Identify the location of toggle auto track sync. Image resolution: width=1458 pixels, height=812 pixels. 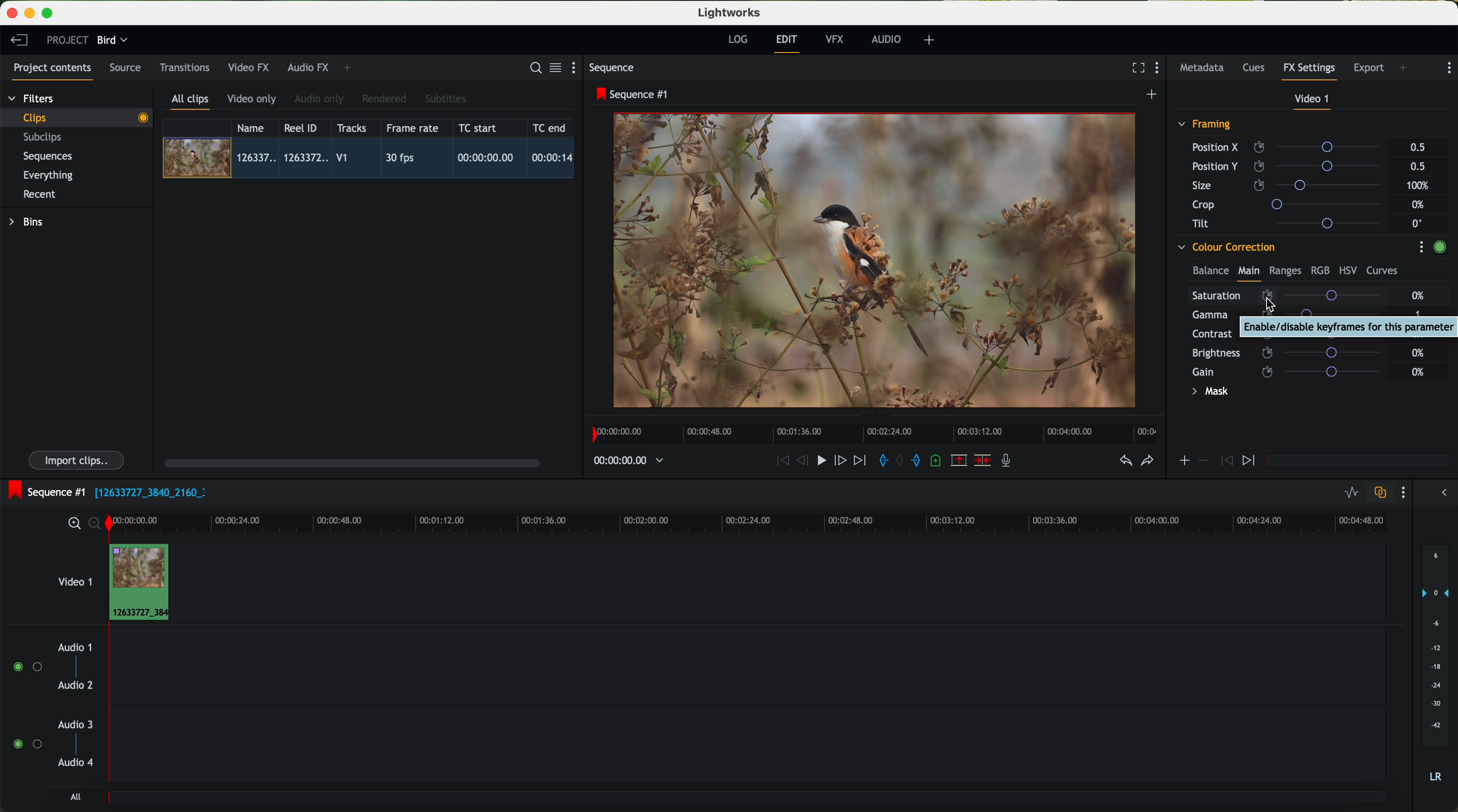
(1378, 493).